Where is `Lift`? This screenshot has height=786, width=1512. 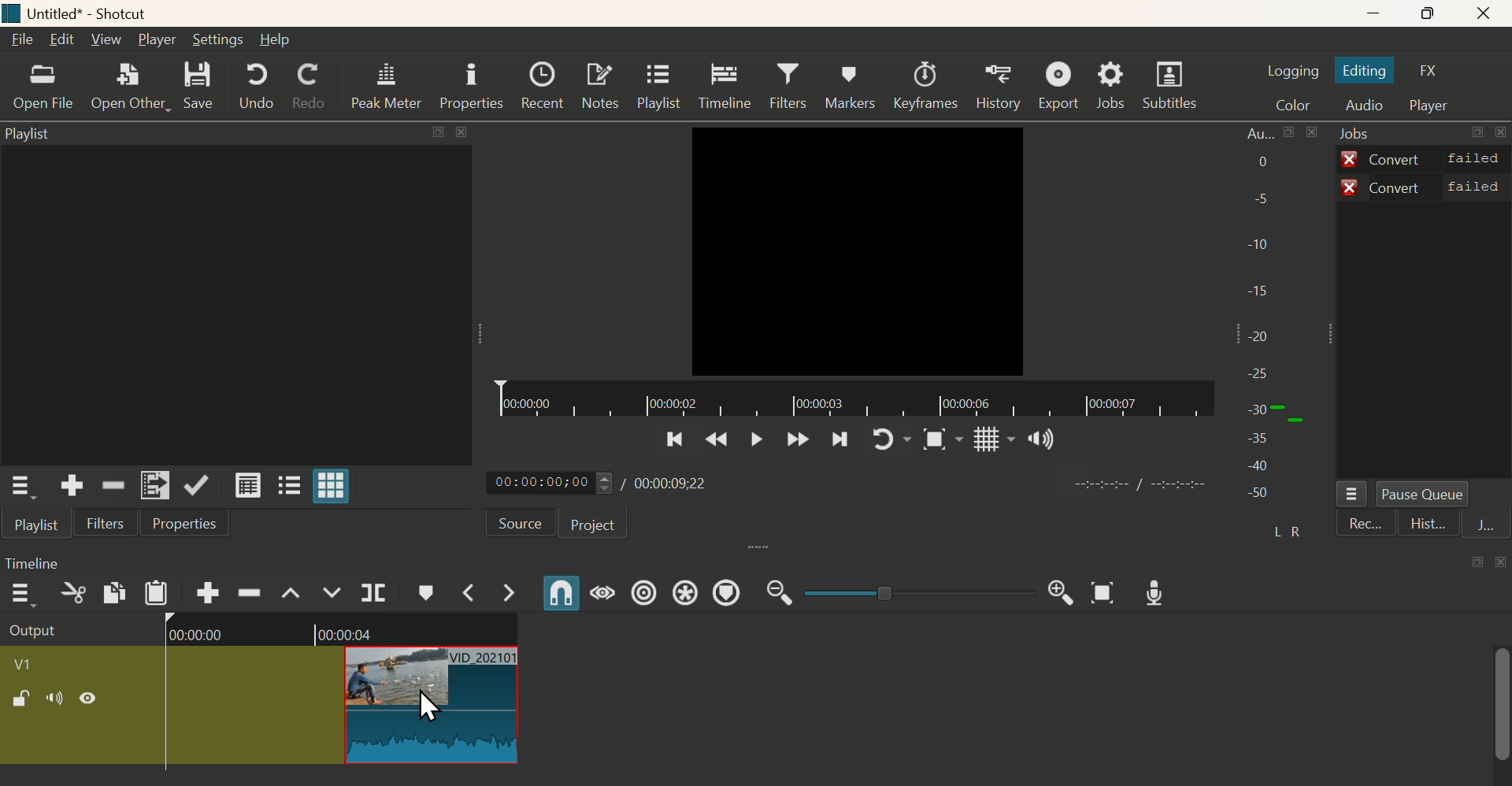 Lift is located at coordinates (292, 590).